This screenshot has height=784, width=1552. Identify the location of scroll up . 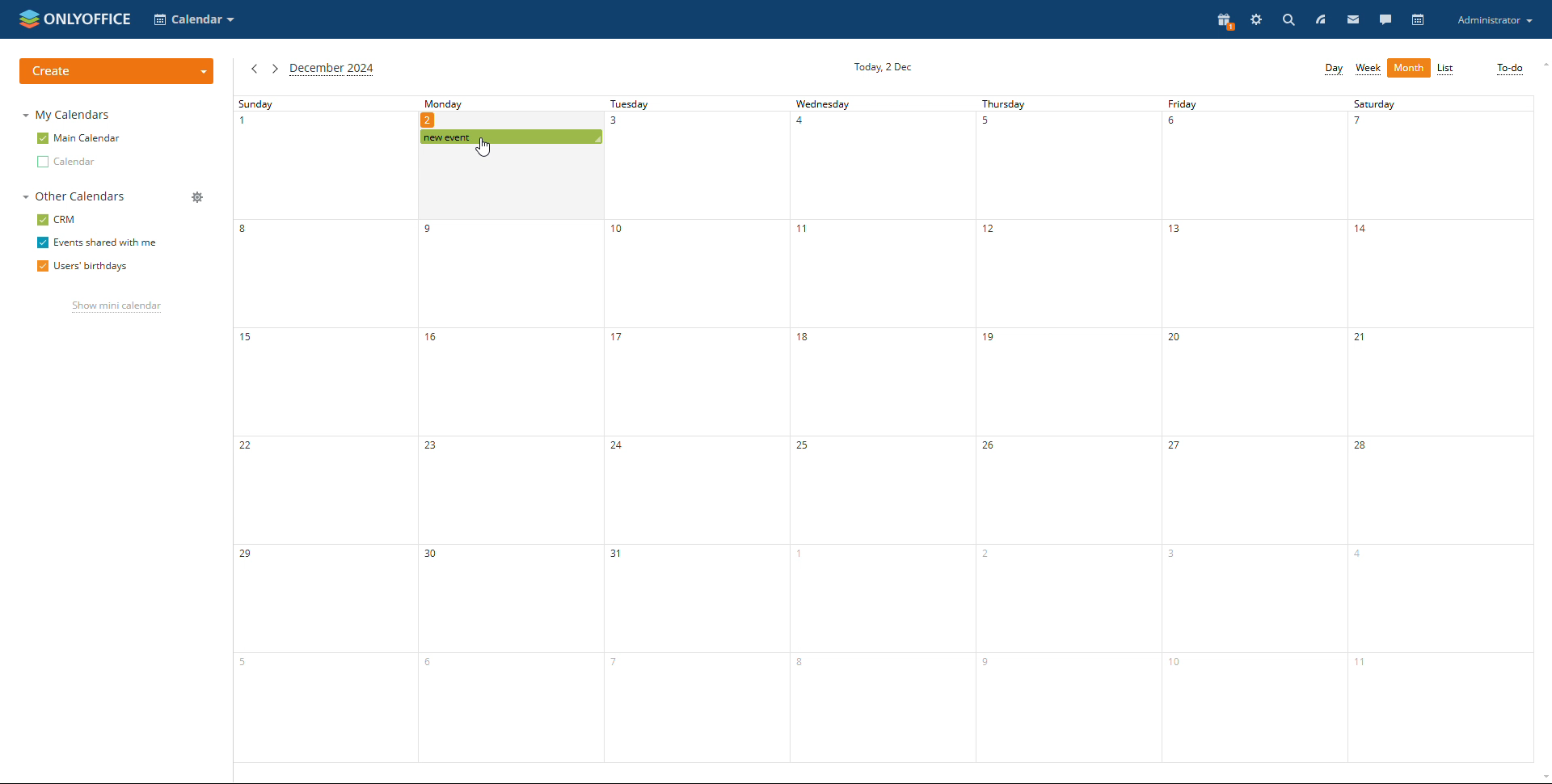
(1542, 66).